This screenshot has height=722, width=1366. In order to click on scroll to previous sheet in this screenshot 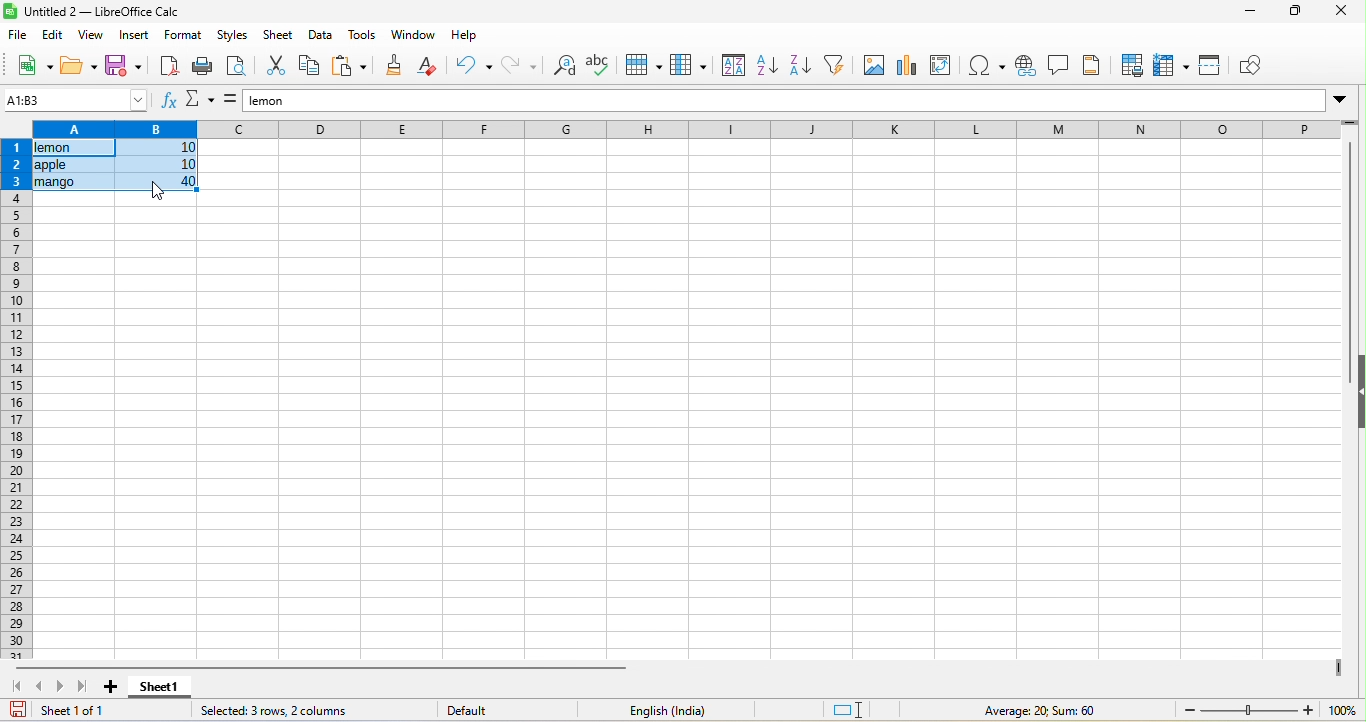, I will do `click(42, 688)`.